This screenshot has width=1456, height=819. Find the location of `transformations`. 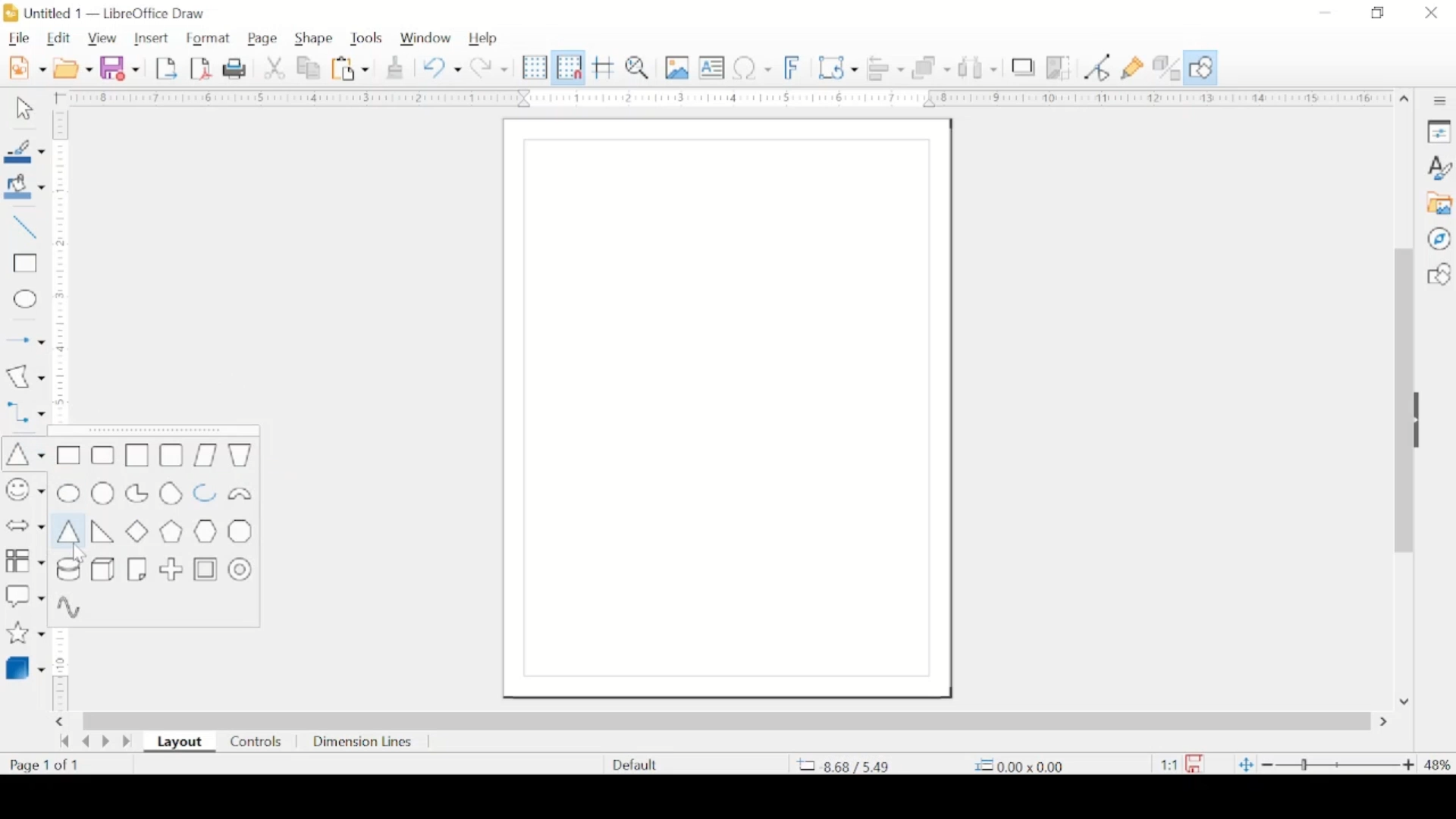

transformations is located at coordinates (838, 66).